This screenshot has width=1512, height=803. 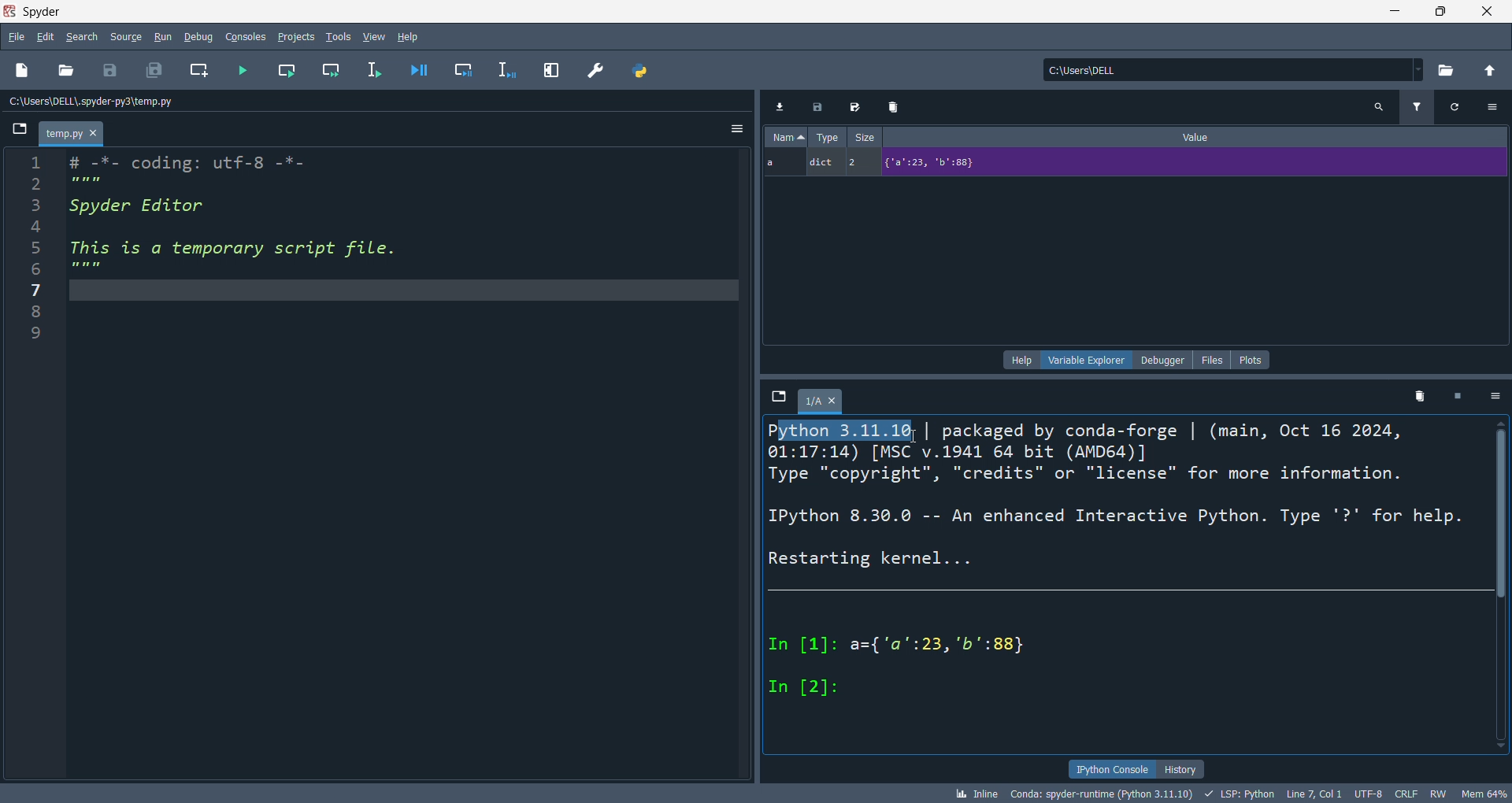 What do you see at coordinates (99, 101) in the screenshot?
I see `c:\users\dell\.spyder-py3\temp.py` at bounding box center [99, 101].